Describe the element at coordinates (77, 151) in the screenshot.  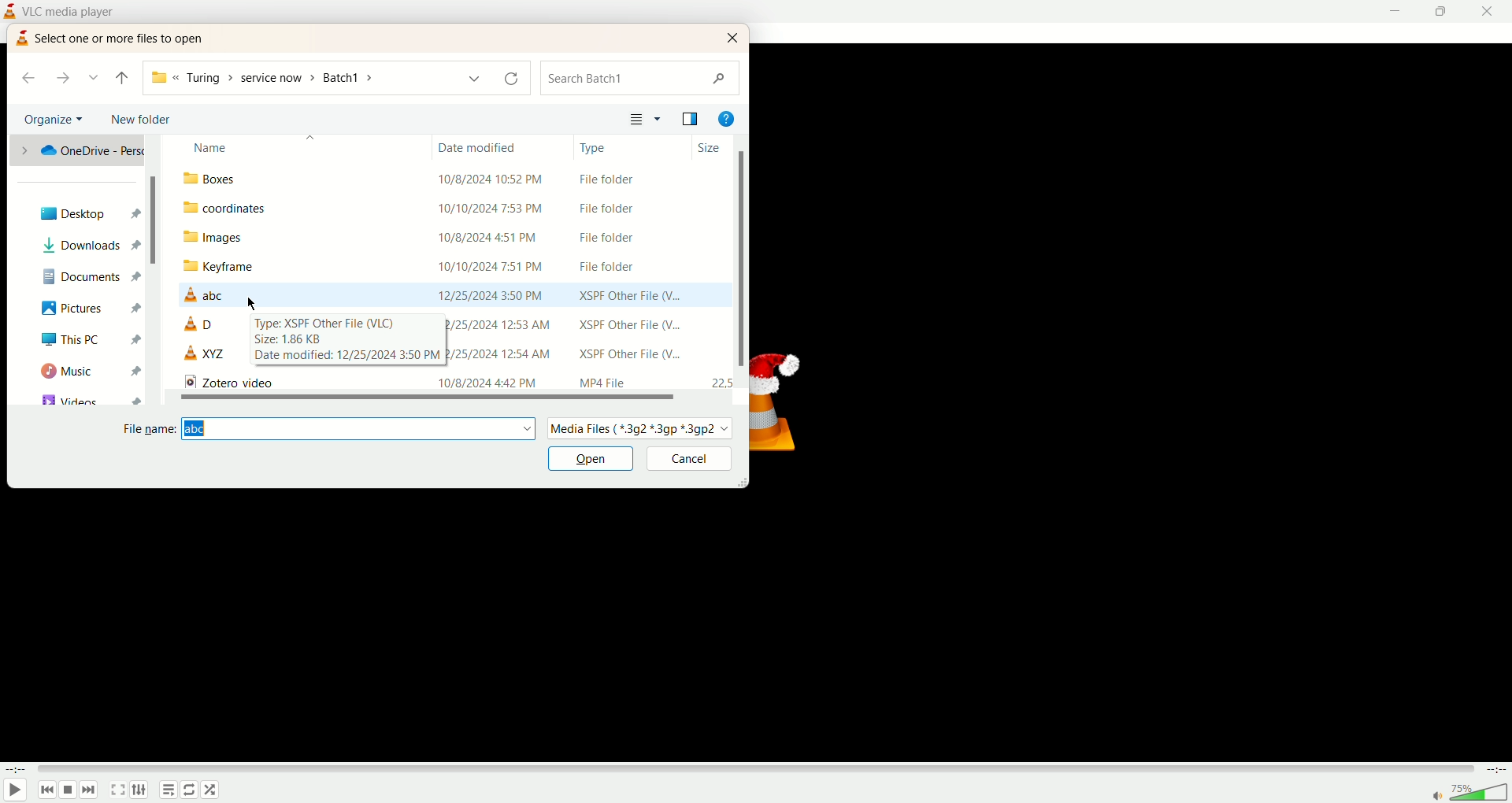
I see `location` at that location.